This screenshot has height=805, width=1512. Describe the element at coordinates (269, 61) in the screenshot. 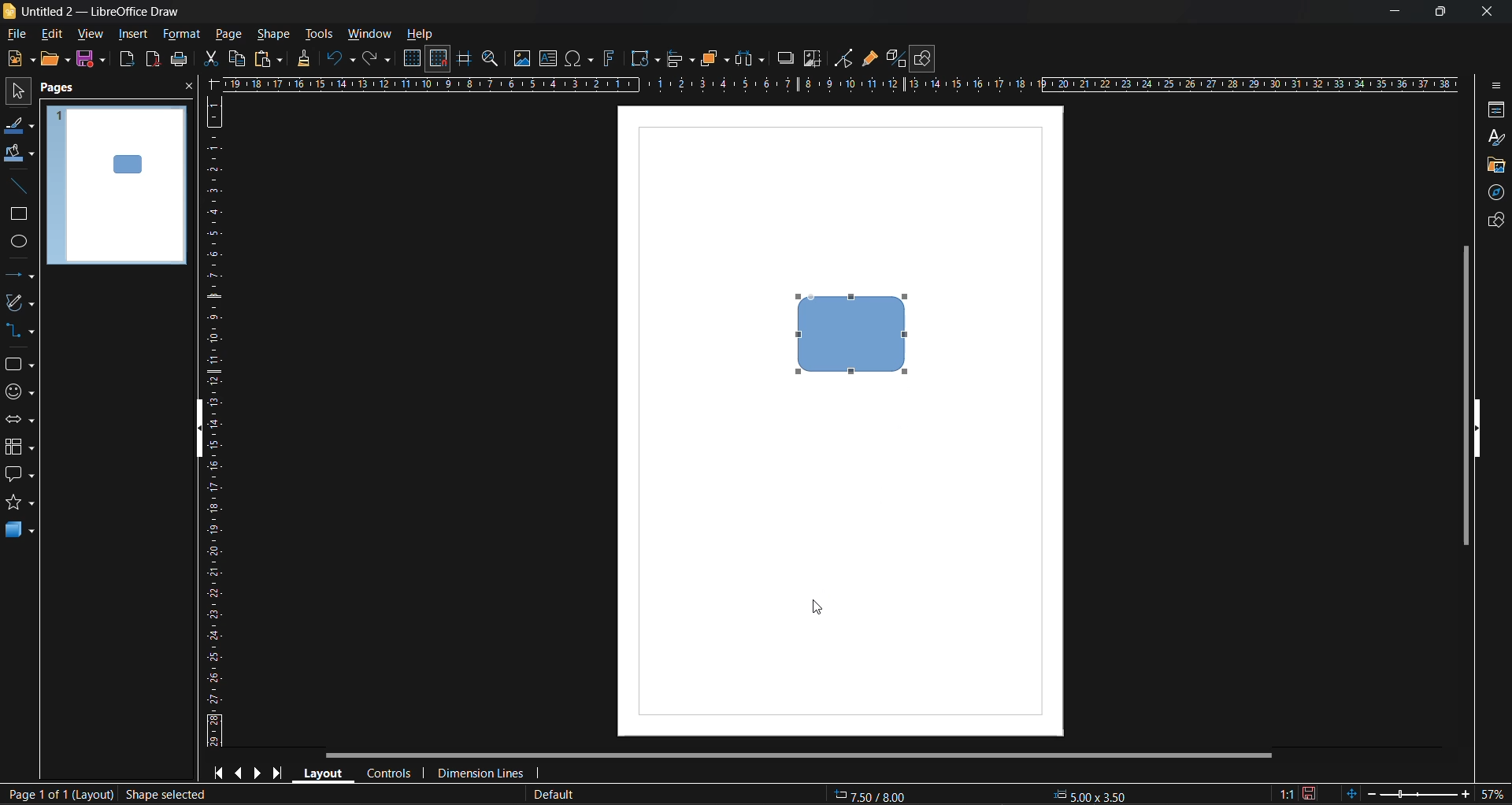

I see `paste` at that location.